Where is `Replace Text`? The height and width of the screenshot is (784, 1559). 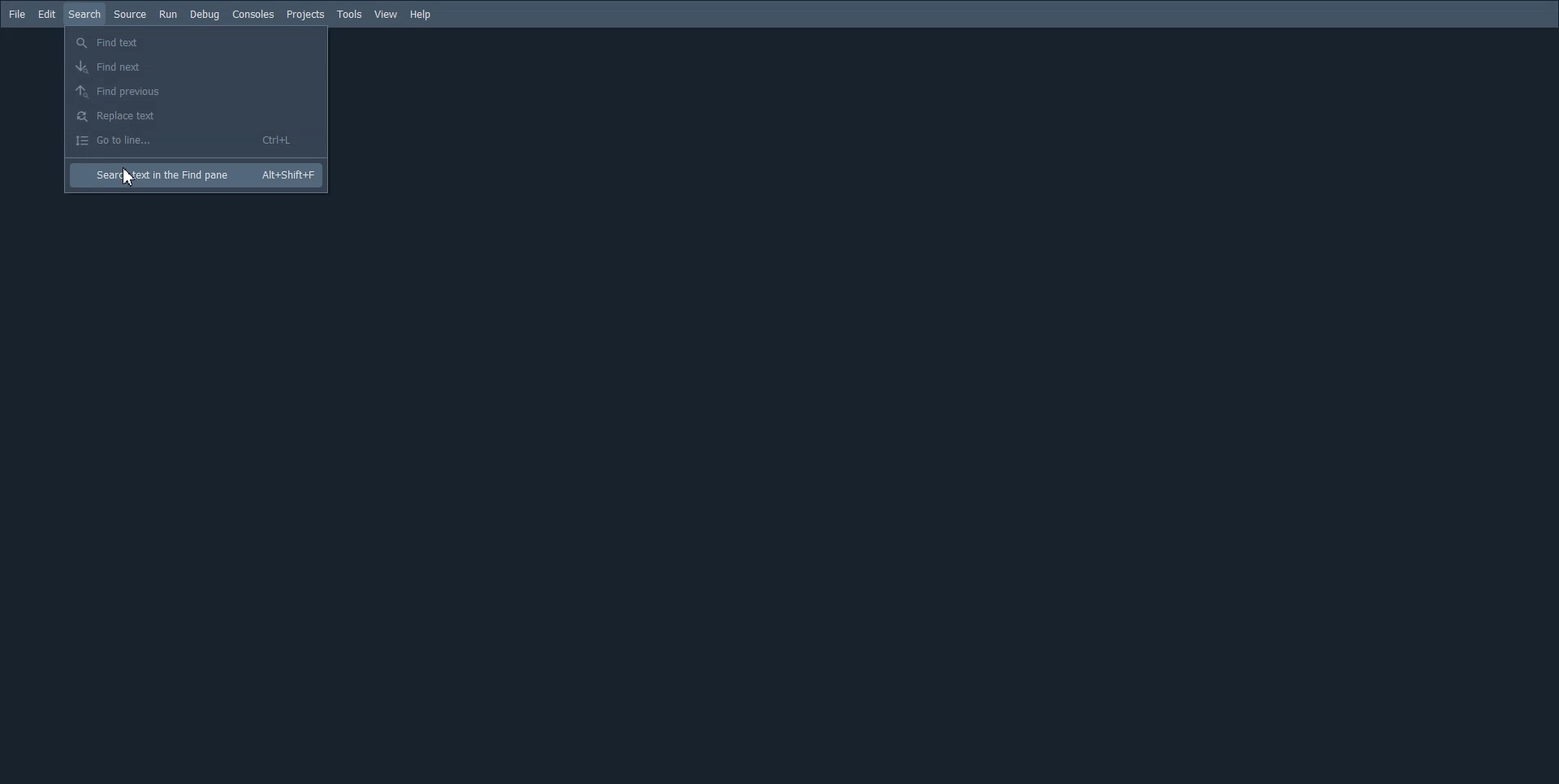
Replace Text is located at coordinates (188, 115).